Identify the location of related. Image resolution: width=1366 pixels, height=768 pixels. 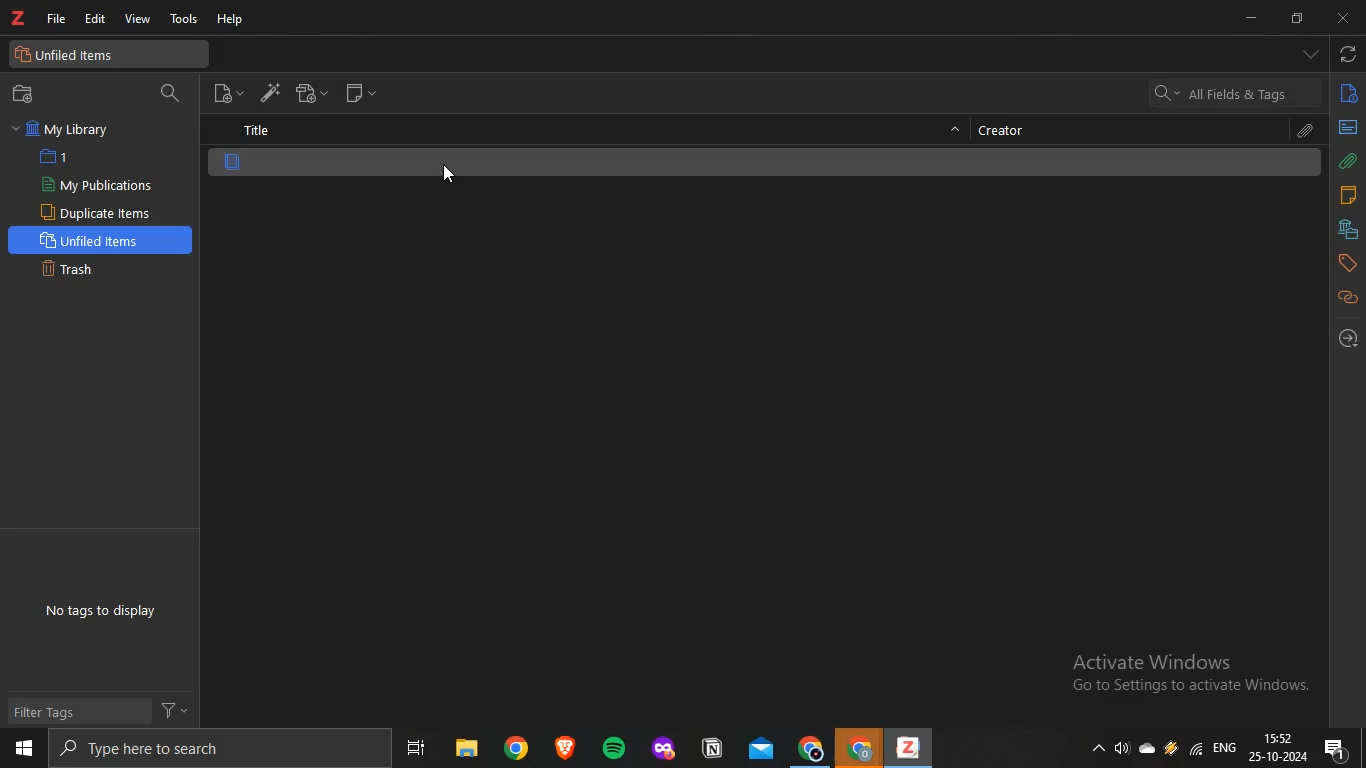
(1347, 298).